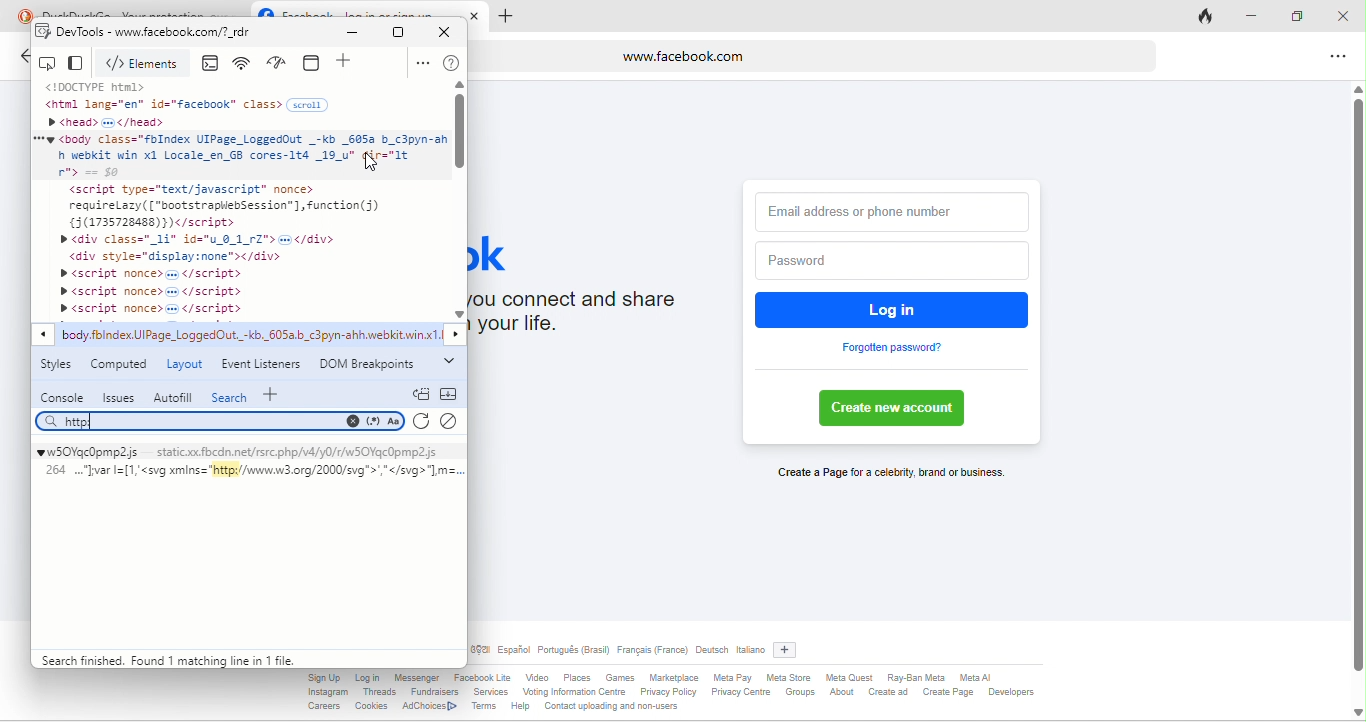  Describe the element at coordinates (117, 397) in the screenshot. I see `issues` at that location.